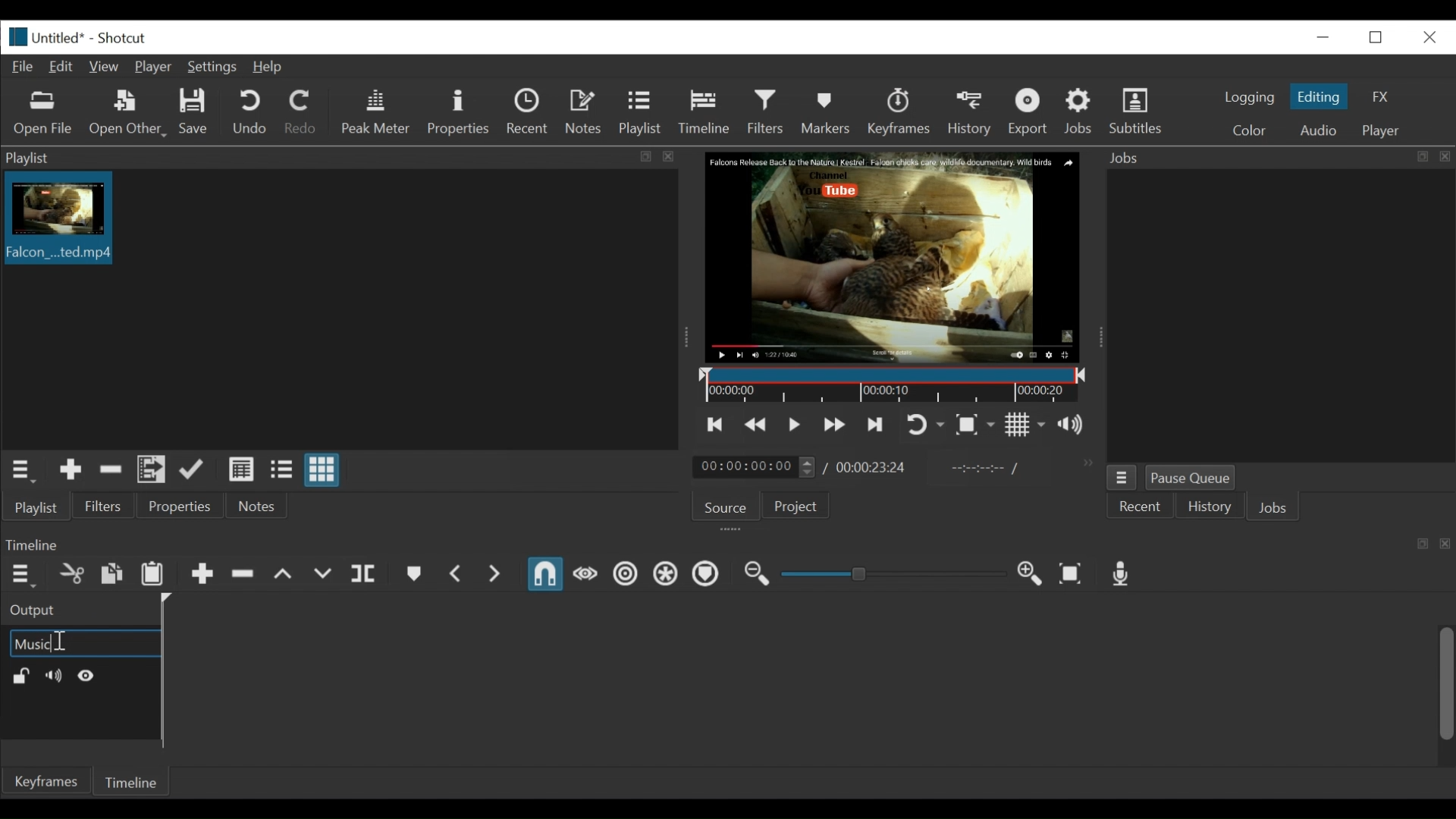 This screenshot has height=819, width=1456. Describe the element at coordinates (260, 508) in the screenshot. I see `Notes` at that location.